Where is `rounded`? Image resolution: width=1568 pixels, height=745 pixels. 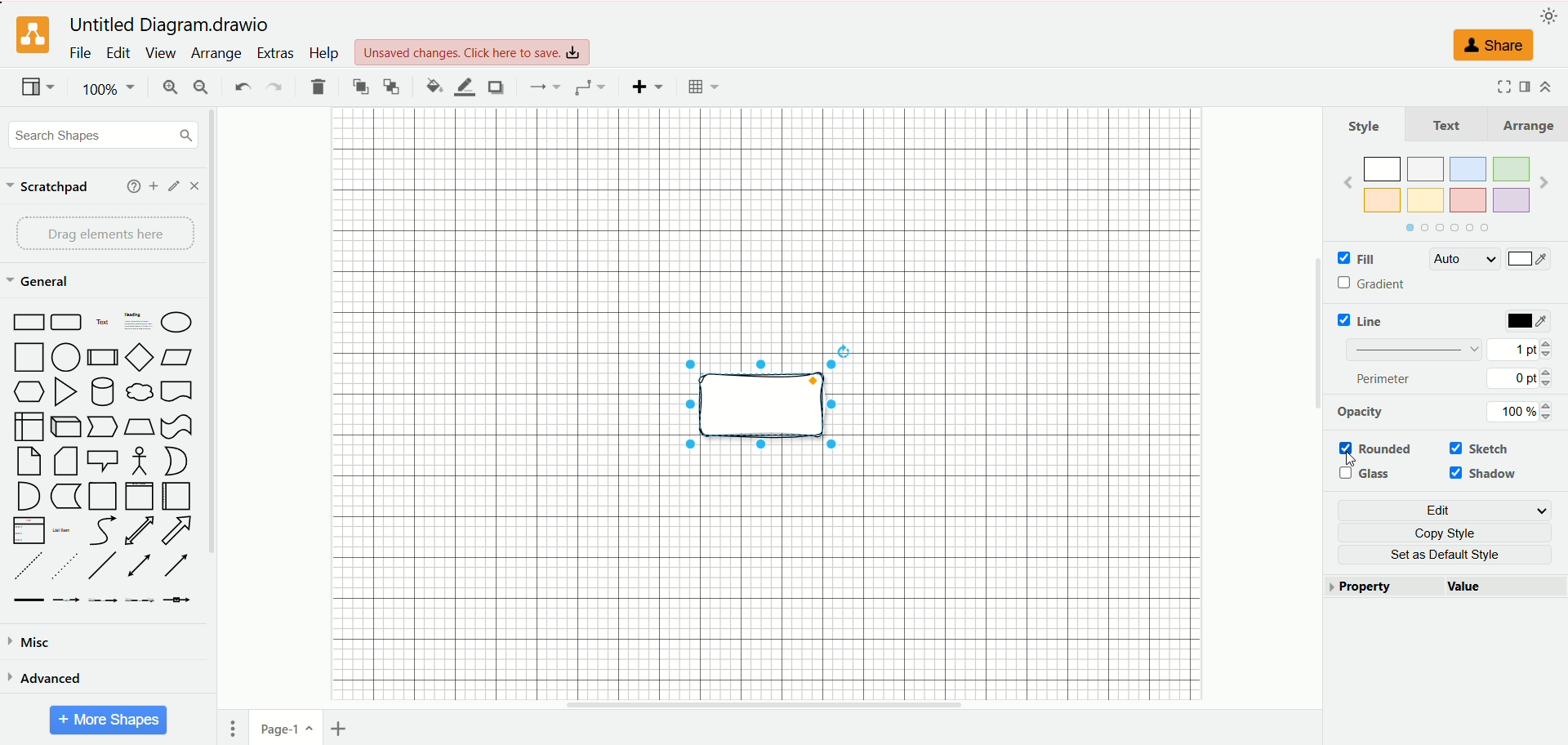 rounded is located at coordinates (1378, 449).